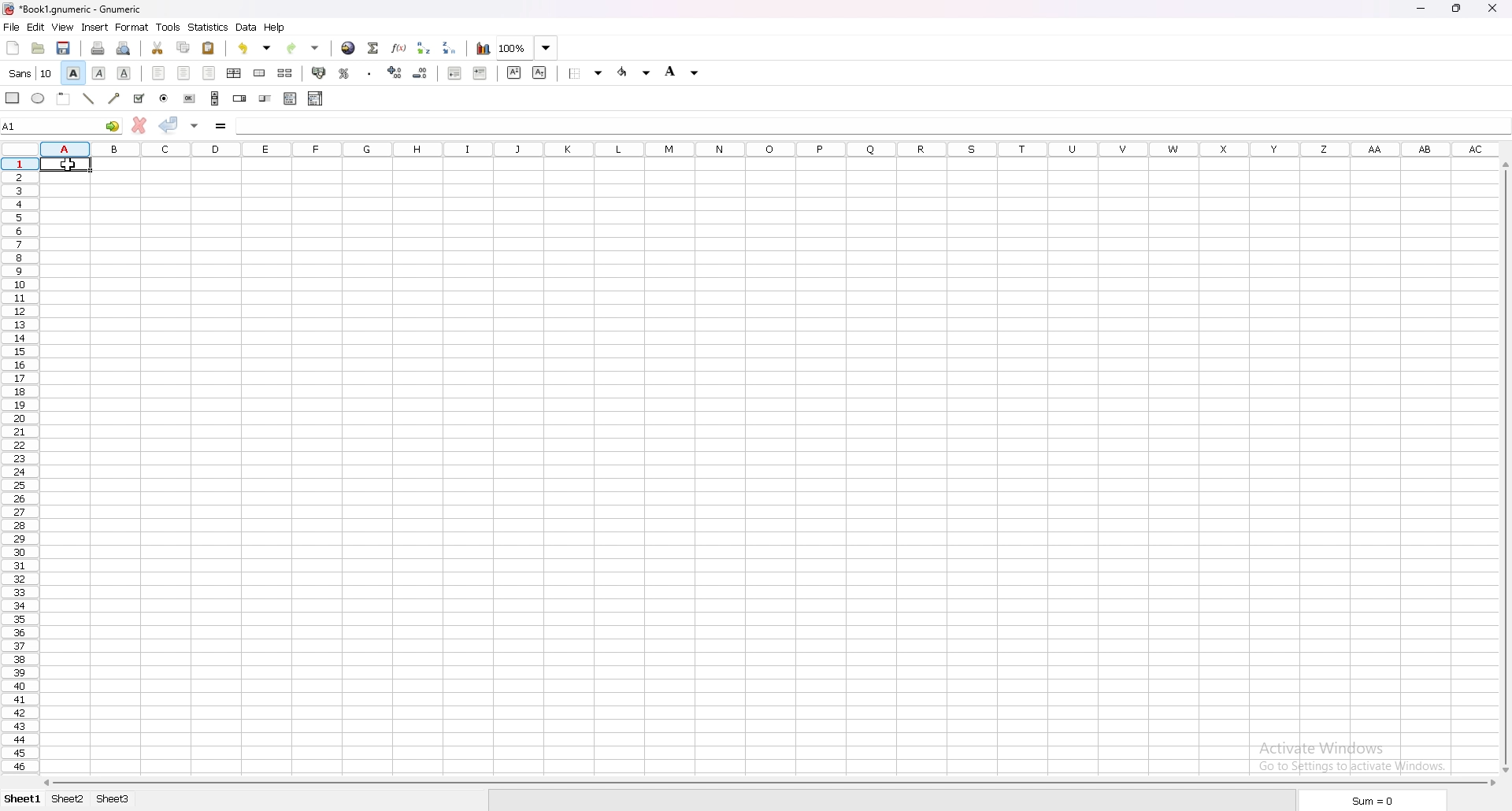 The height and width of the screenshot is (811, 1512). Describe the element at coordinates (872, 125) in the screenshot. I see `cell input` at that location.